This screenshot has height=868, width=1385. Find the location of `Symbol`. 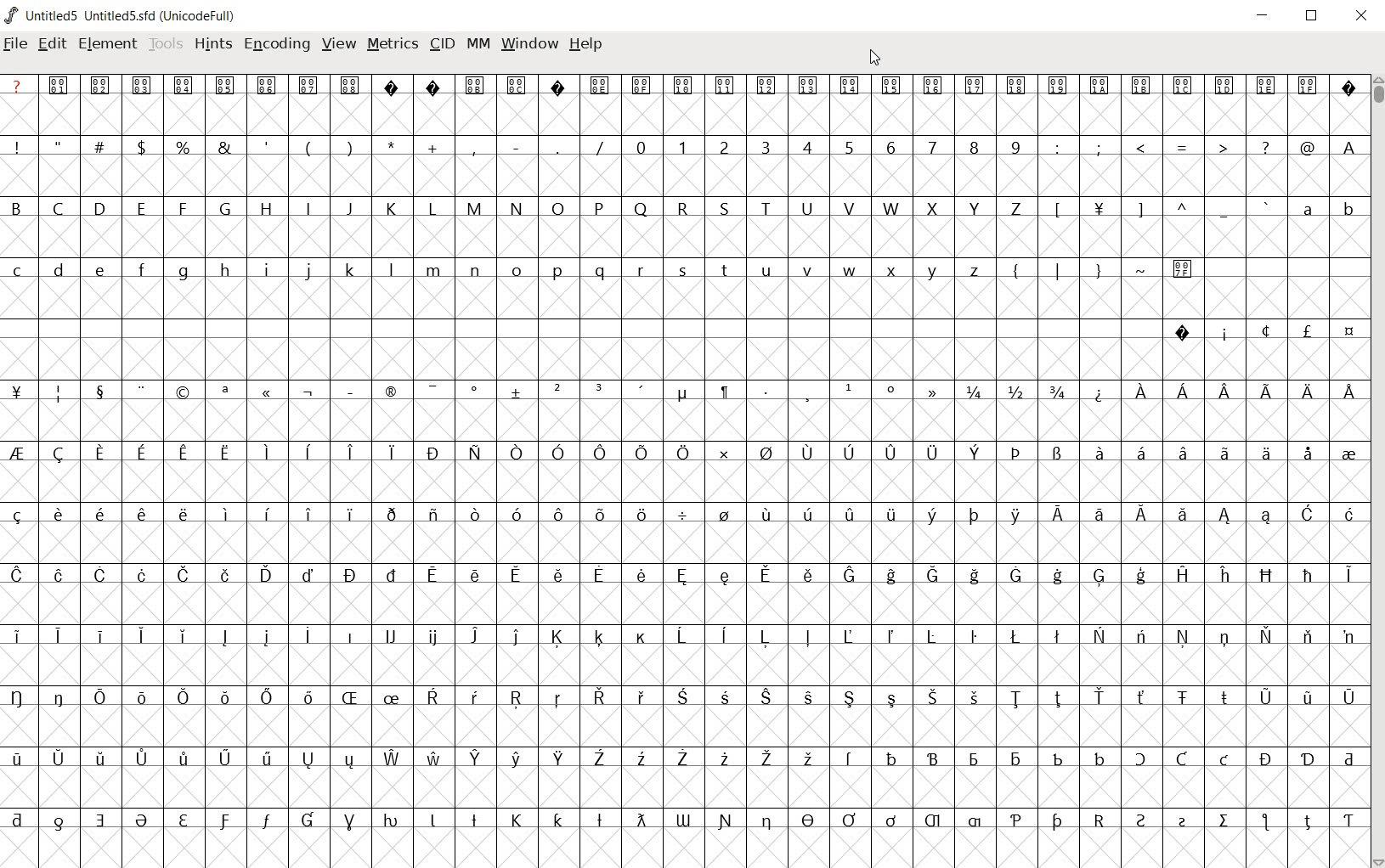

Symbol is located at coordinates (432, 452).